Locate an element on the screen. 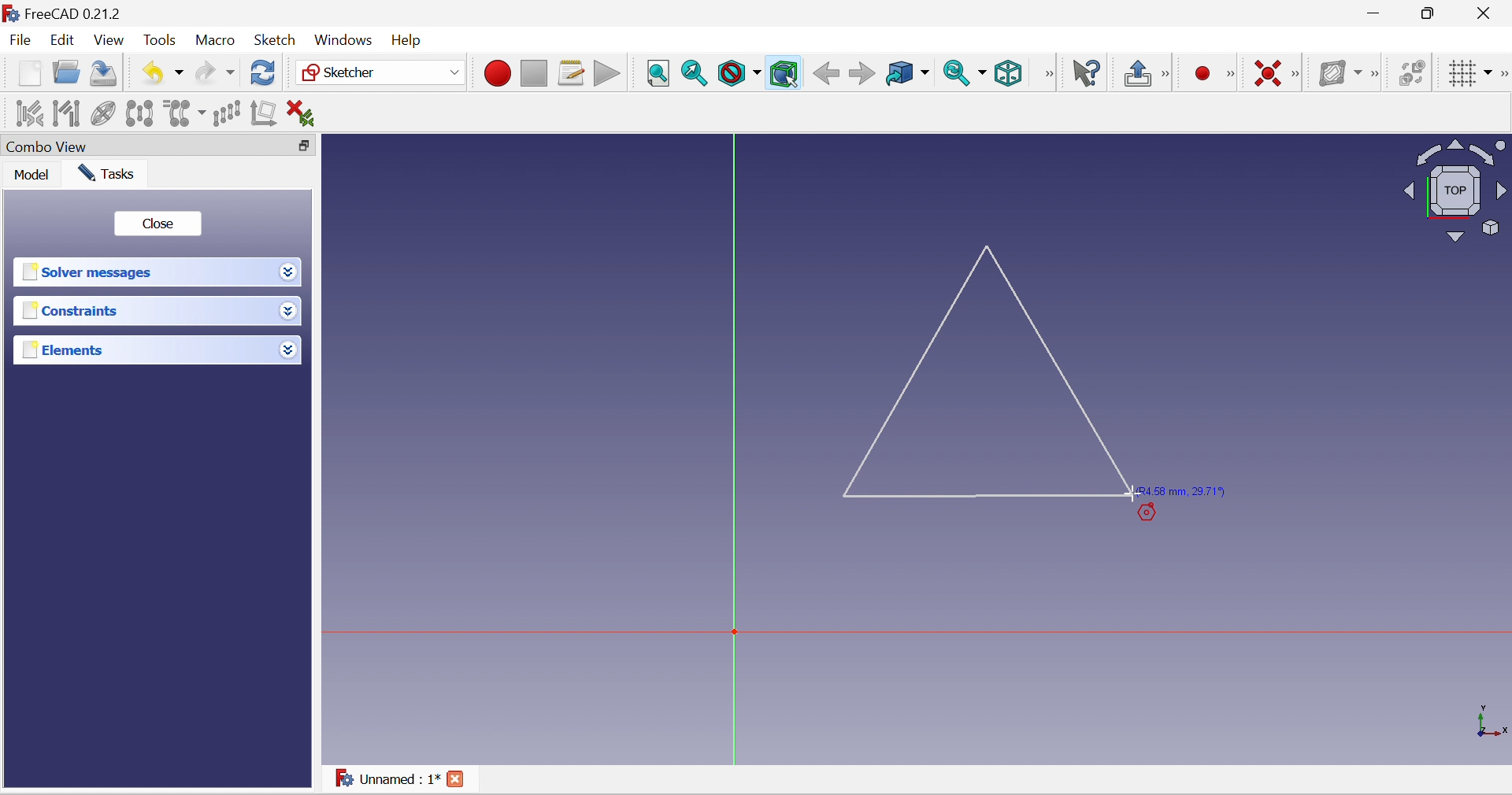 The height and width of the screenshot is (795, 1512). Go to linked object is located at coordinates (908, 74).